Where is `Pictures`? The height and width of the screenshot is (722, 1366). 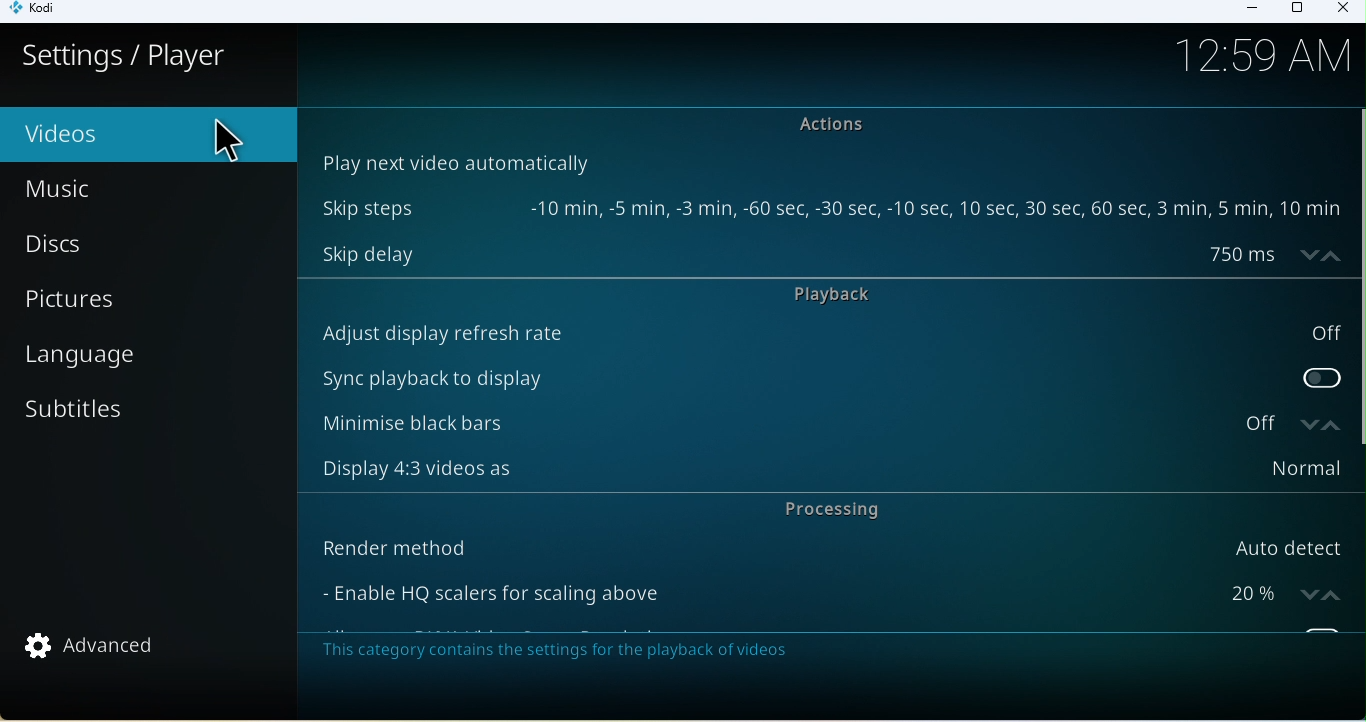
Pictures is located at coordinates (152, 300).